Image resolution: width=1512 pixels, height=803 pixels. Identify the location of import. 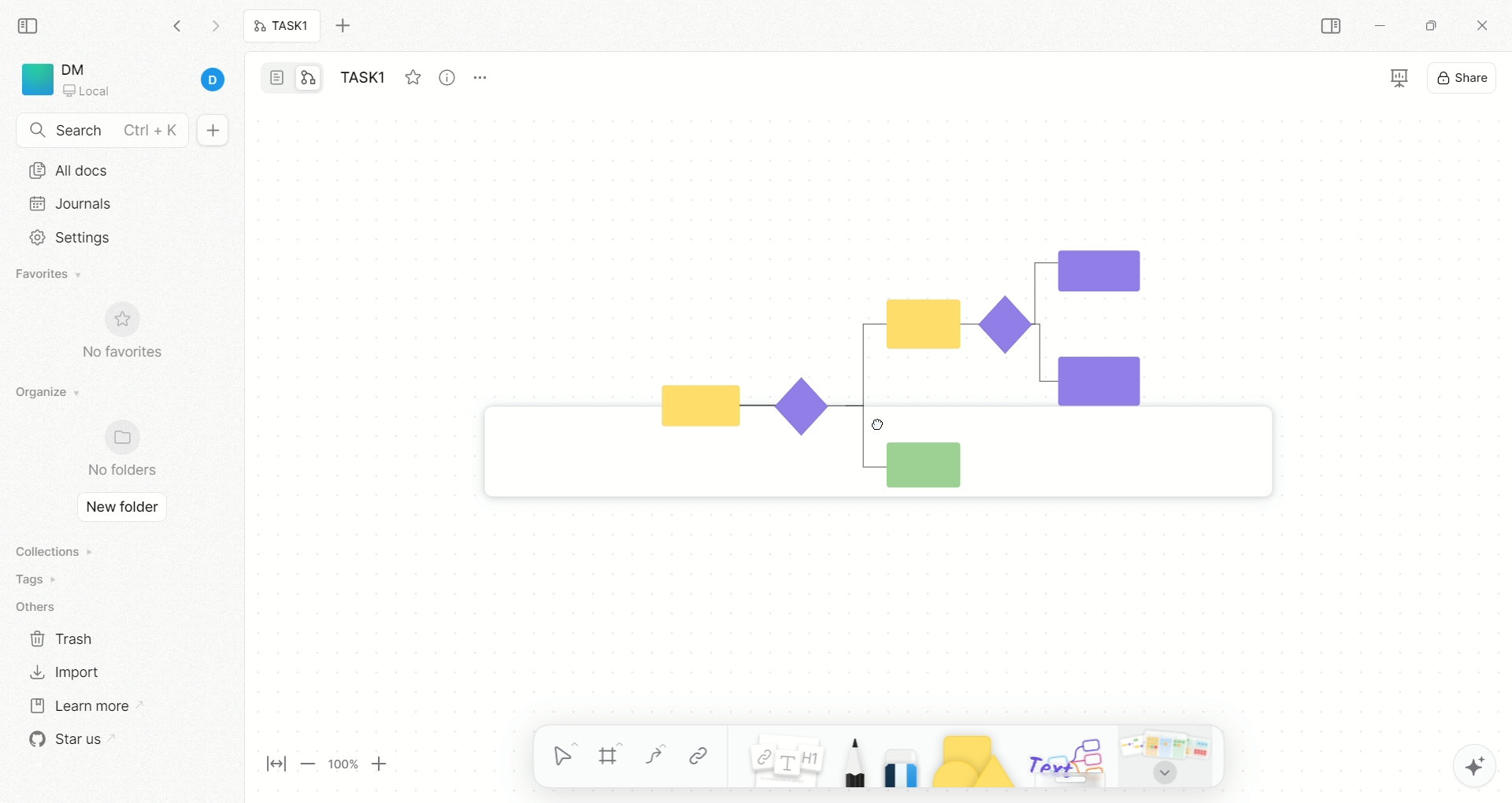
(63, 672).